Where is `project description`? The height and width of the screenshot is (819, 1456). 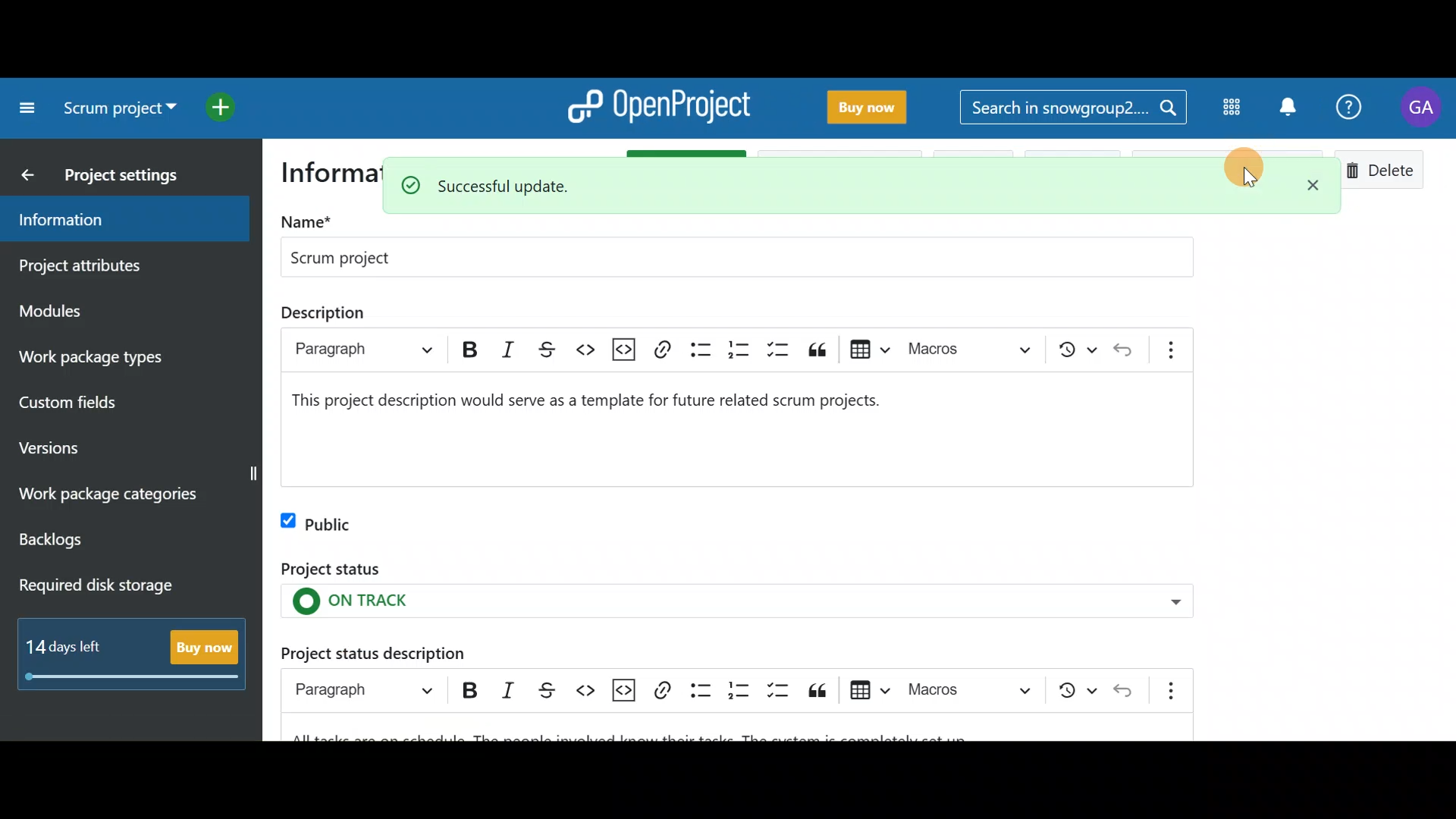 project description is located at coordinates (602, 407).